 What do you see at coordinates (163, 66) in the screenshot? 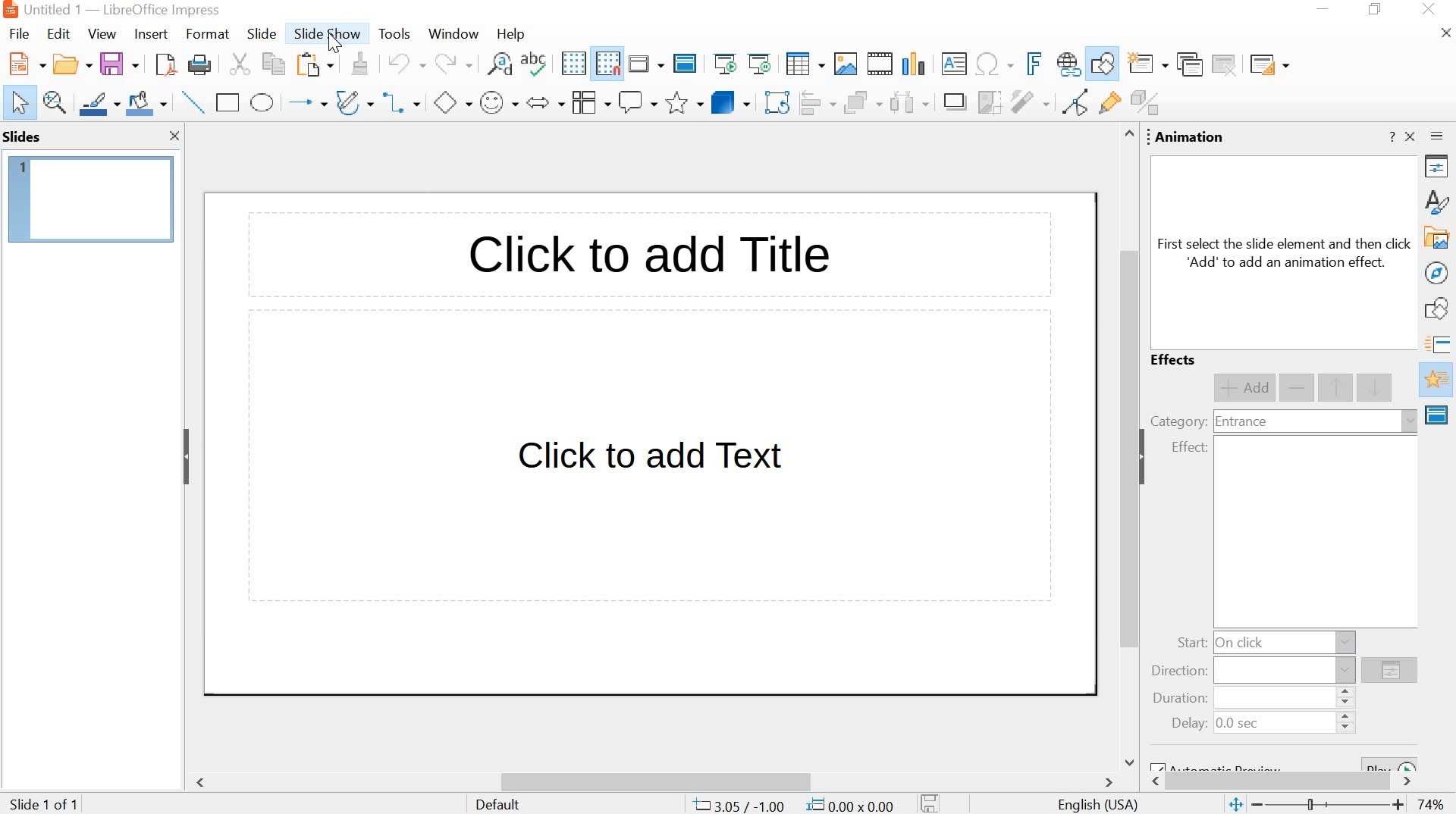
I see `export as pdf` at bounding box center [163, 66].